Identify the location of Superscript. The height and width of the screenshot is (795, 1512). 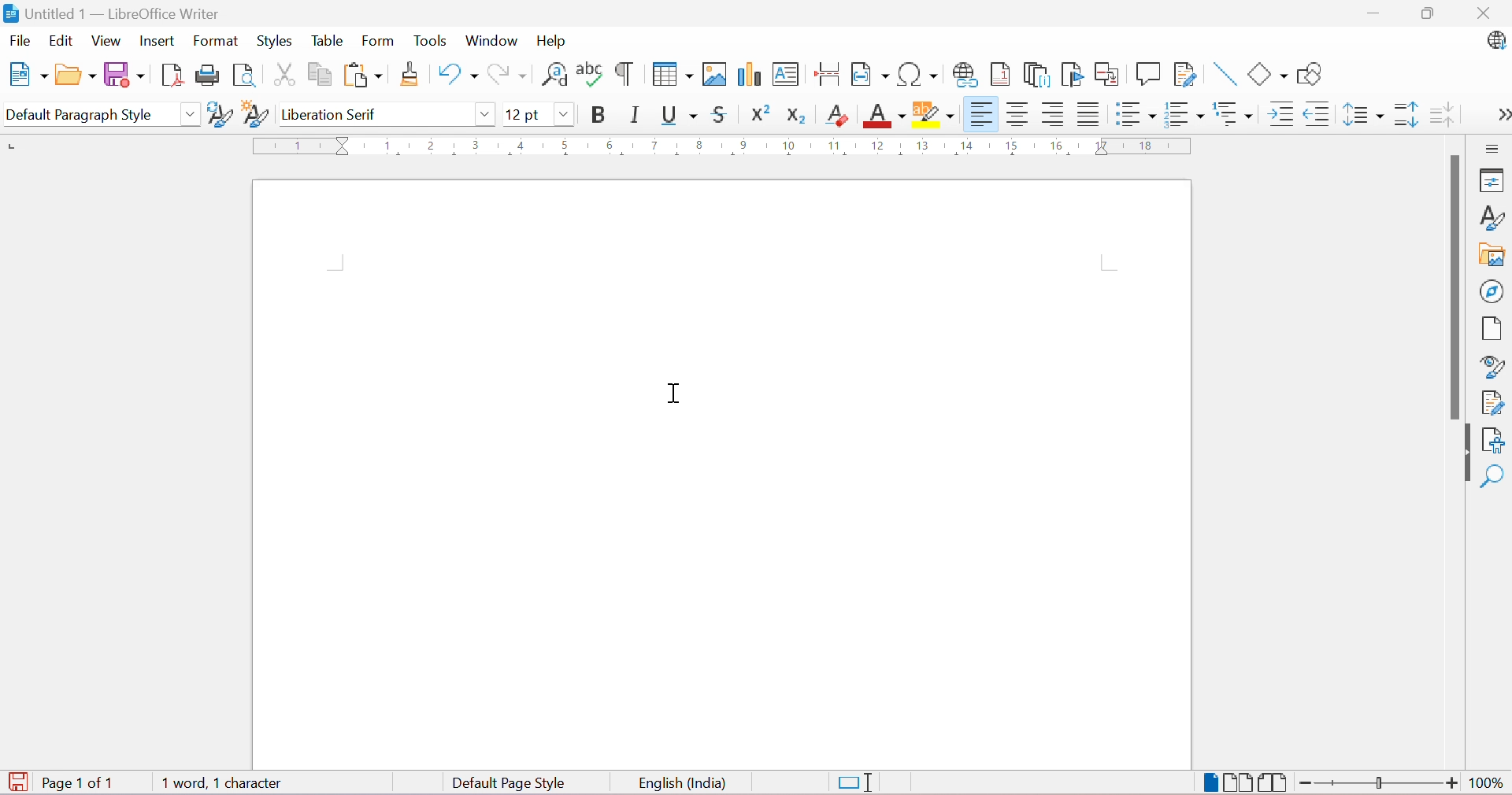
(757, 113).